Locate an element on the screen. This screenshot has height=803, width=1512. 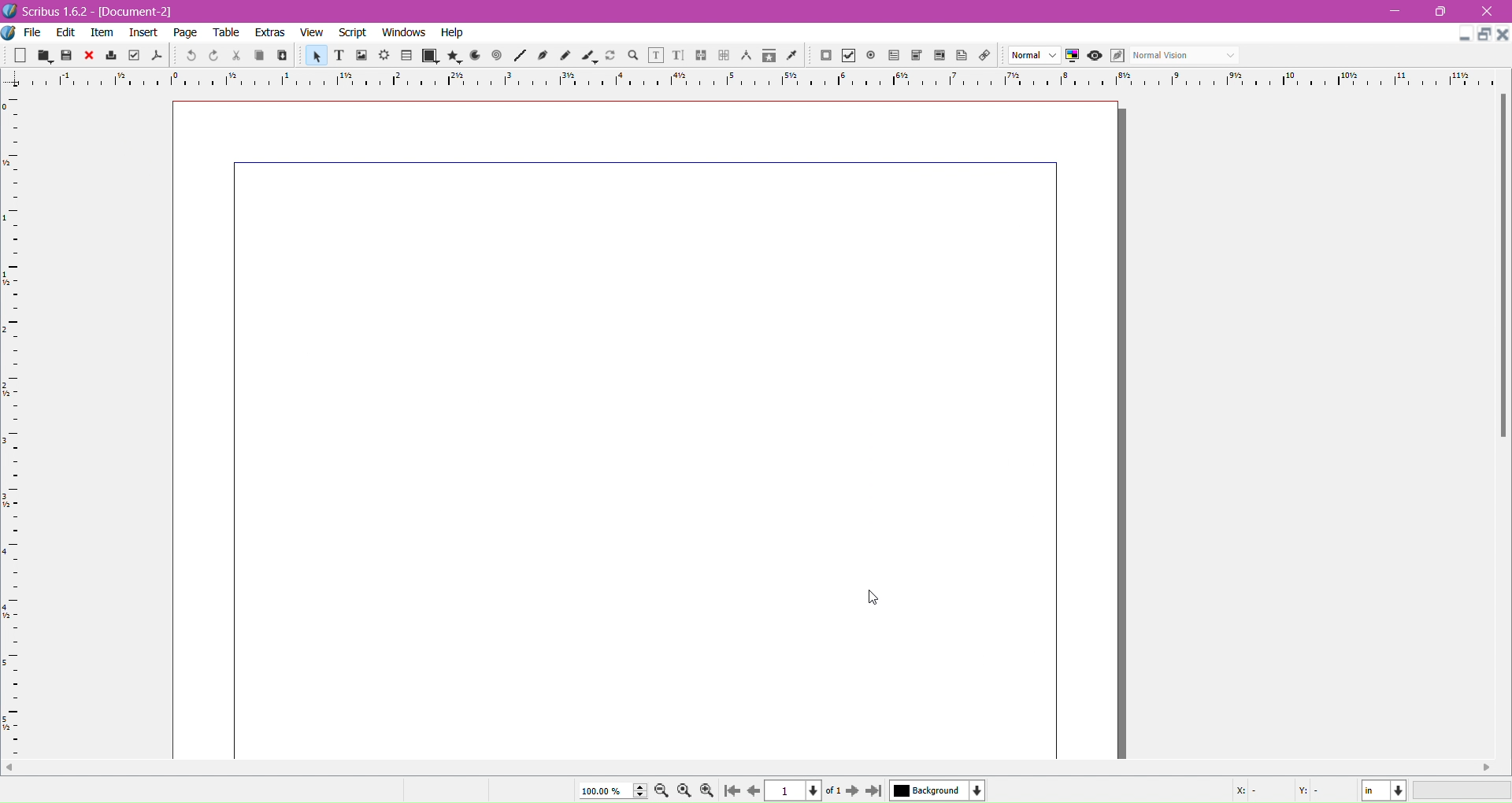
close is located at coordinates (1488, 9).